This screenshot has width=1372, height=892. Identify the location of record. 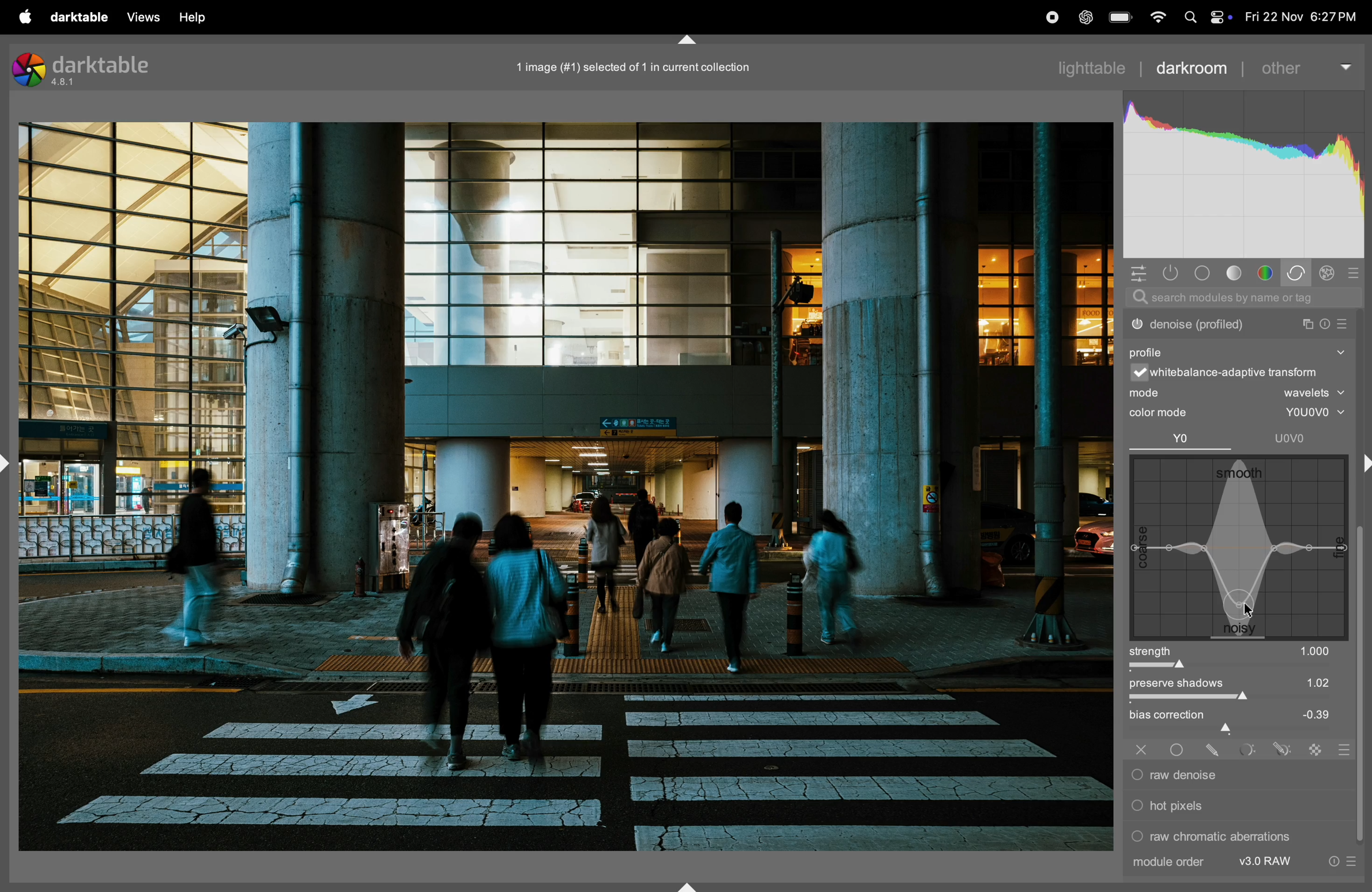
(1051, 16).